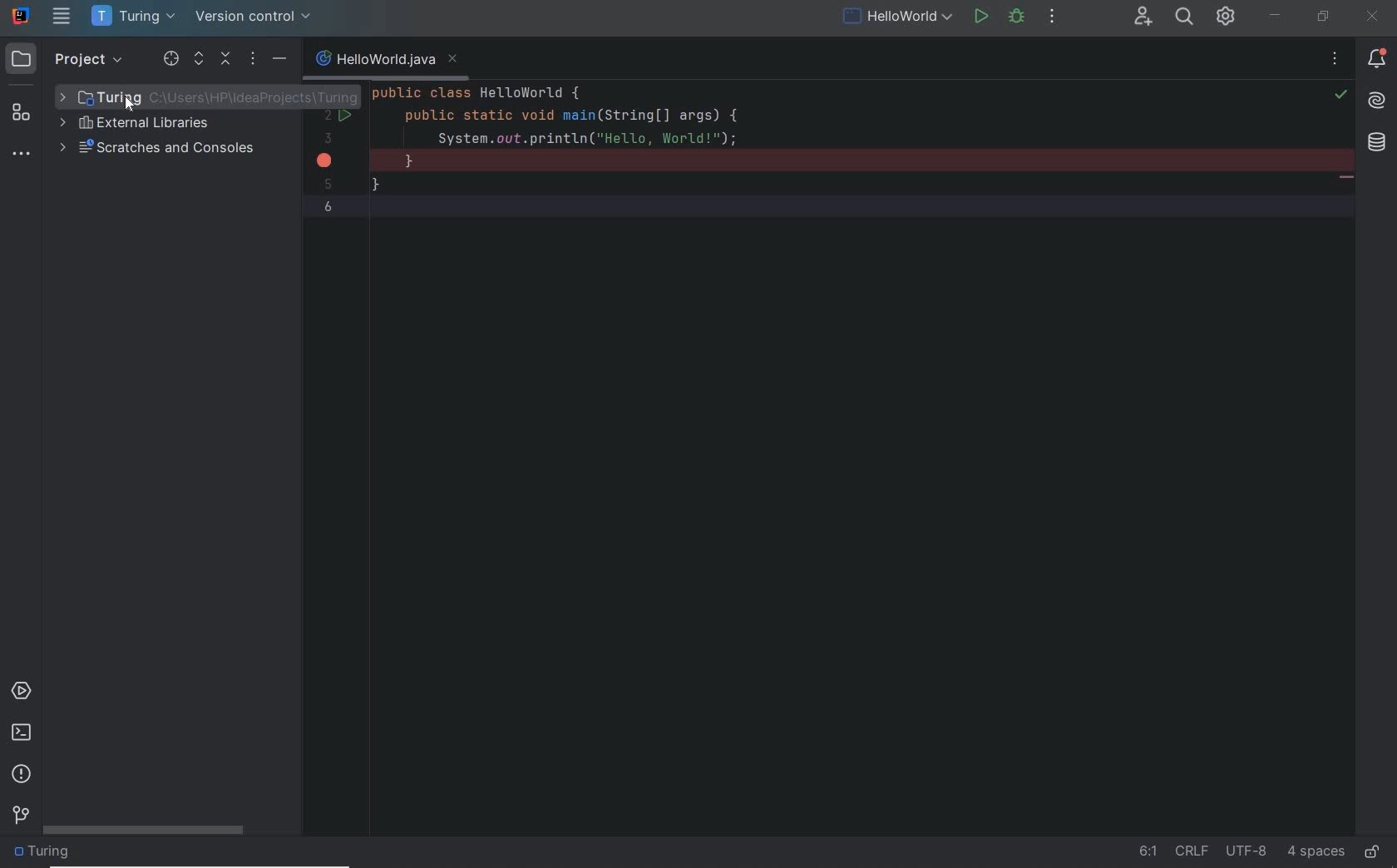  What do you see at coordinates (326, 160) in the screenshot?
I see `error` at bounding box center [326, 160].